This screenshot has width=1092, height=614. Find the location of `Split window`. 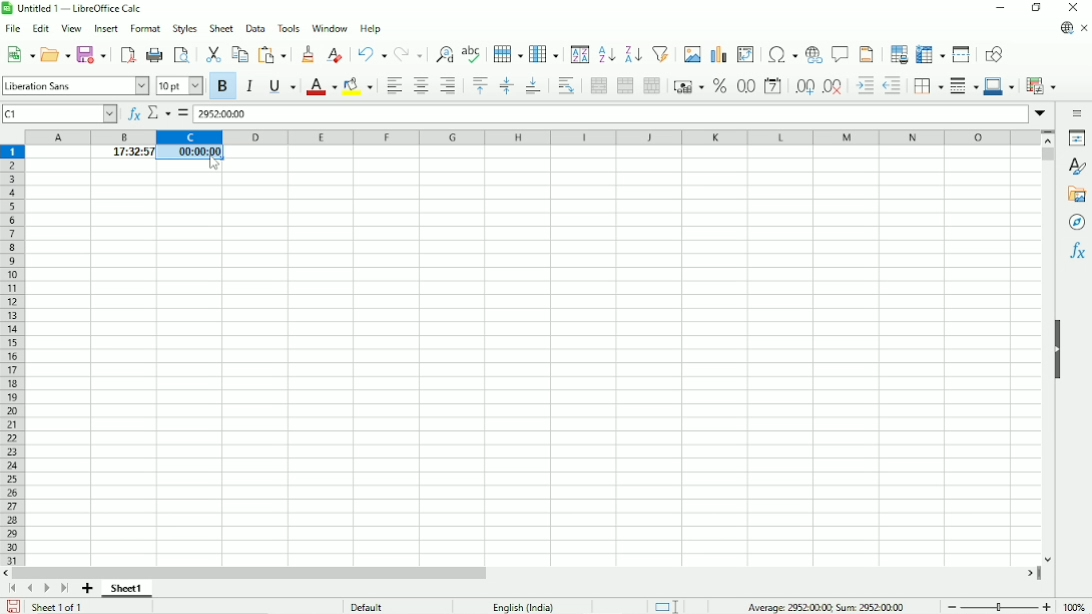

Split window is located at coordinates (962, 54).